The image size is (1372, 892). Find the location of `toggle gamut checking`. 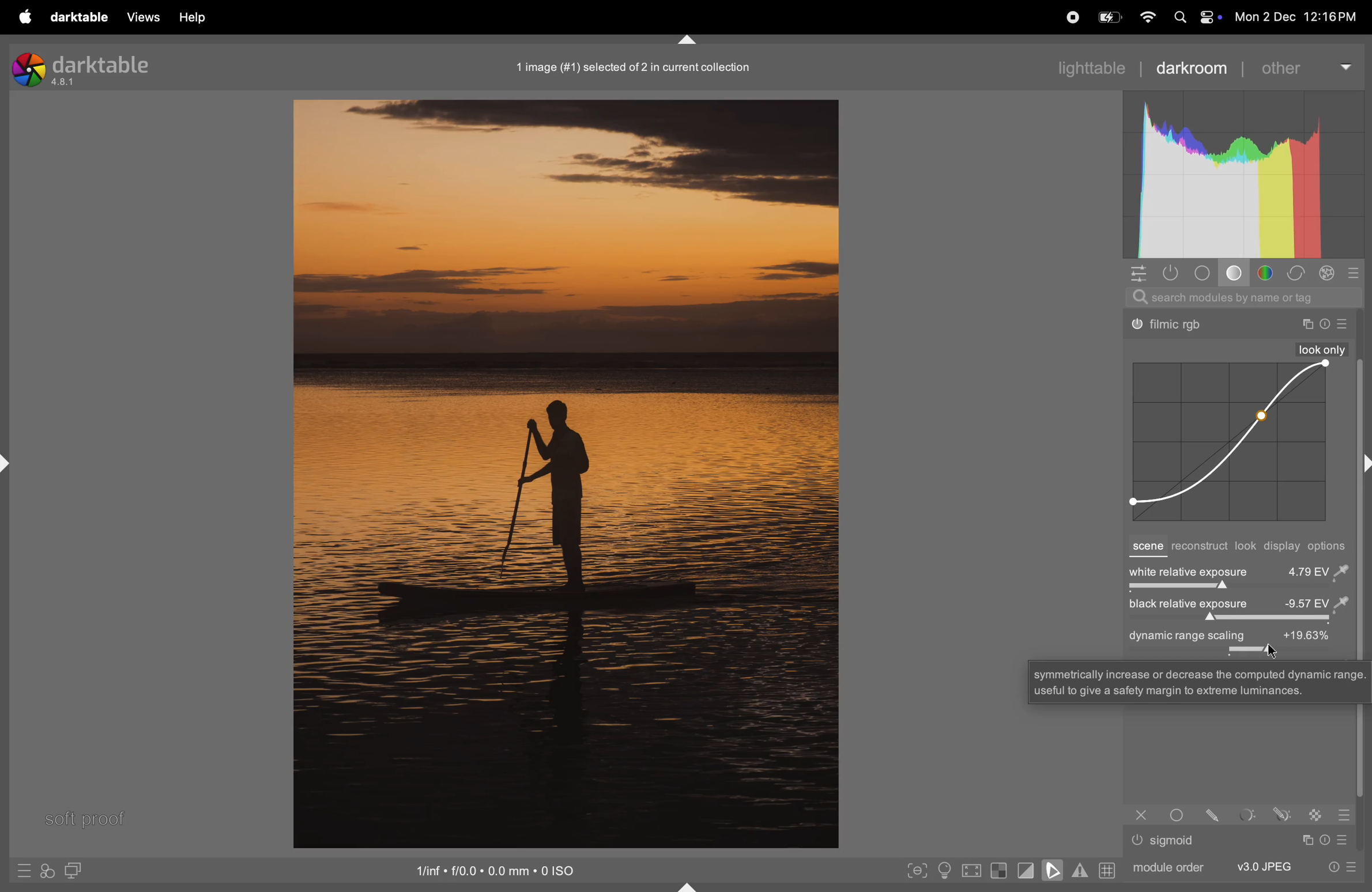

toggle gamut checking is located at coordinates (1080, 870).